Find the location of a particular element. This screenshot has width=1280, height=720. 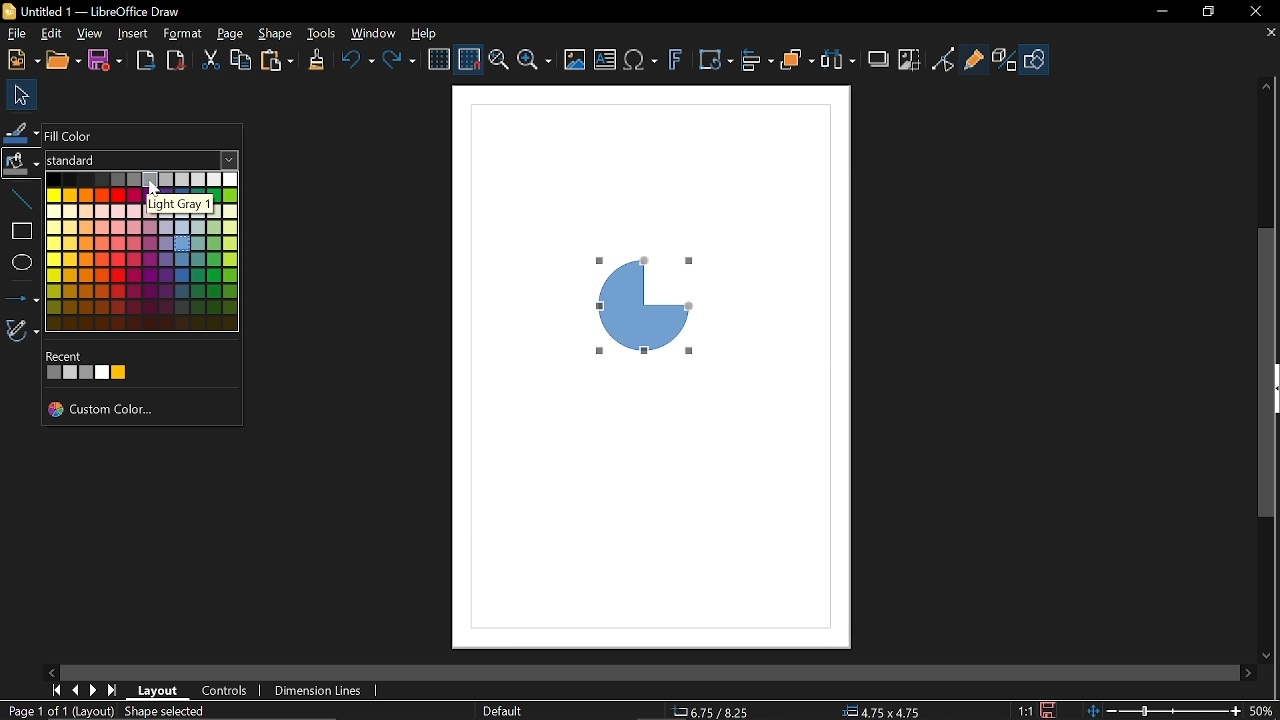

Close tab is located at coordinates (1270, 34).